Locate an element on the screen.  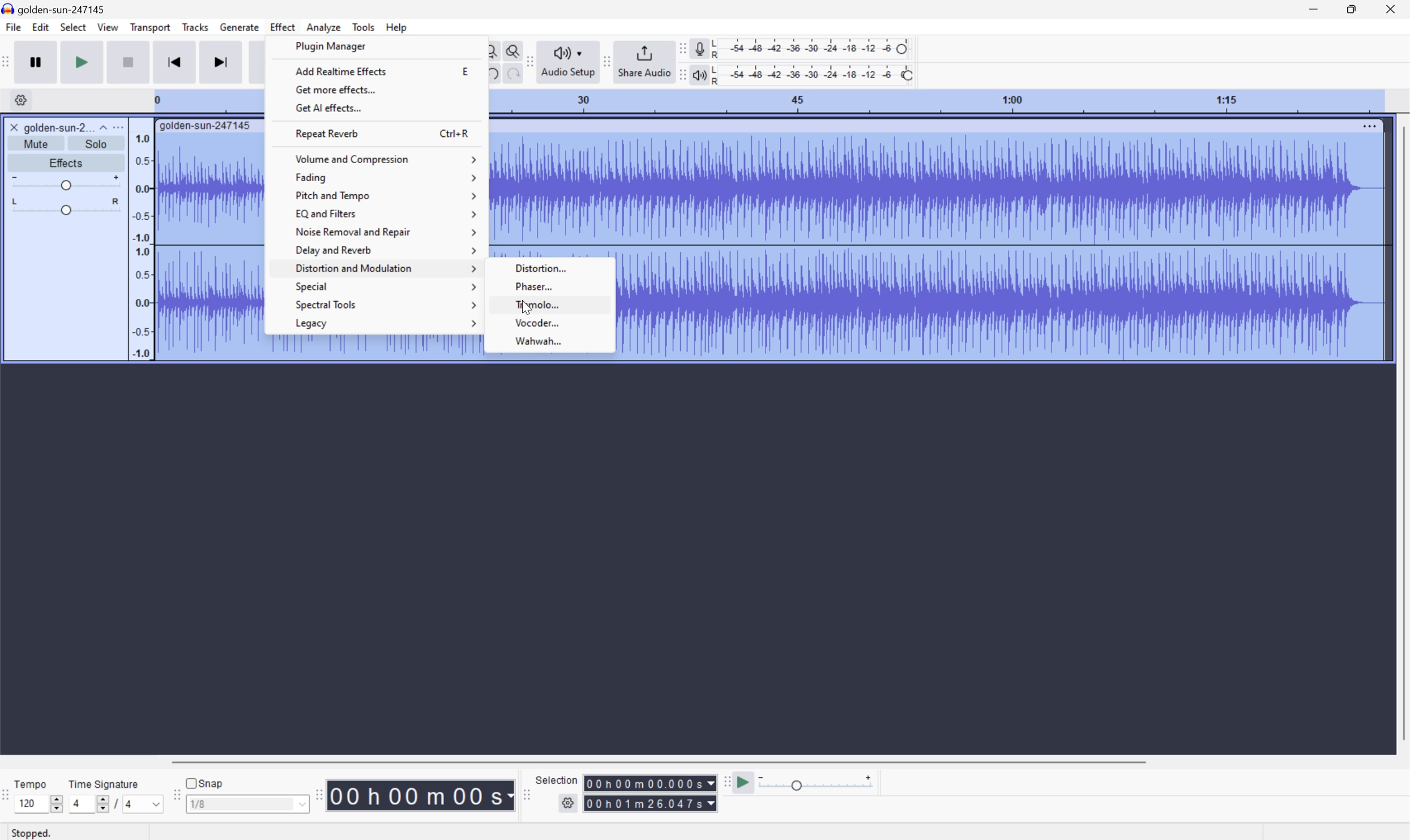
Slider is located at coordinates (57, 804).